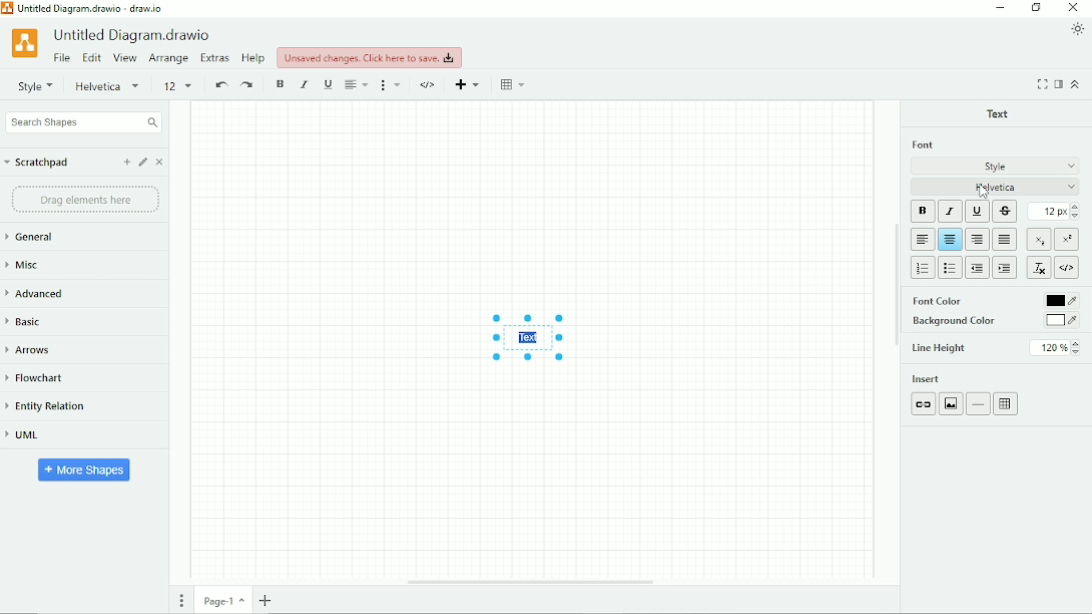 This screenshot has height=614, width=1092. What do you see at coordinates (127, 162) in the screenshot?
I see `Add` at bounding box center [127, 162].